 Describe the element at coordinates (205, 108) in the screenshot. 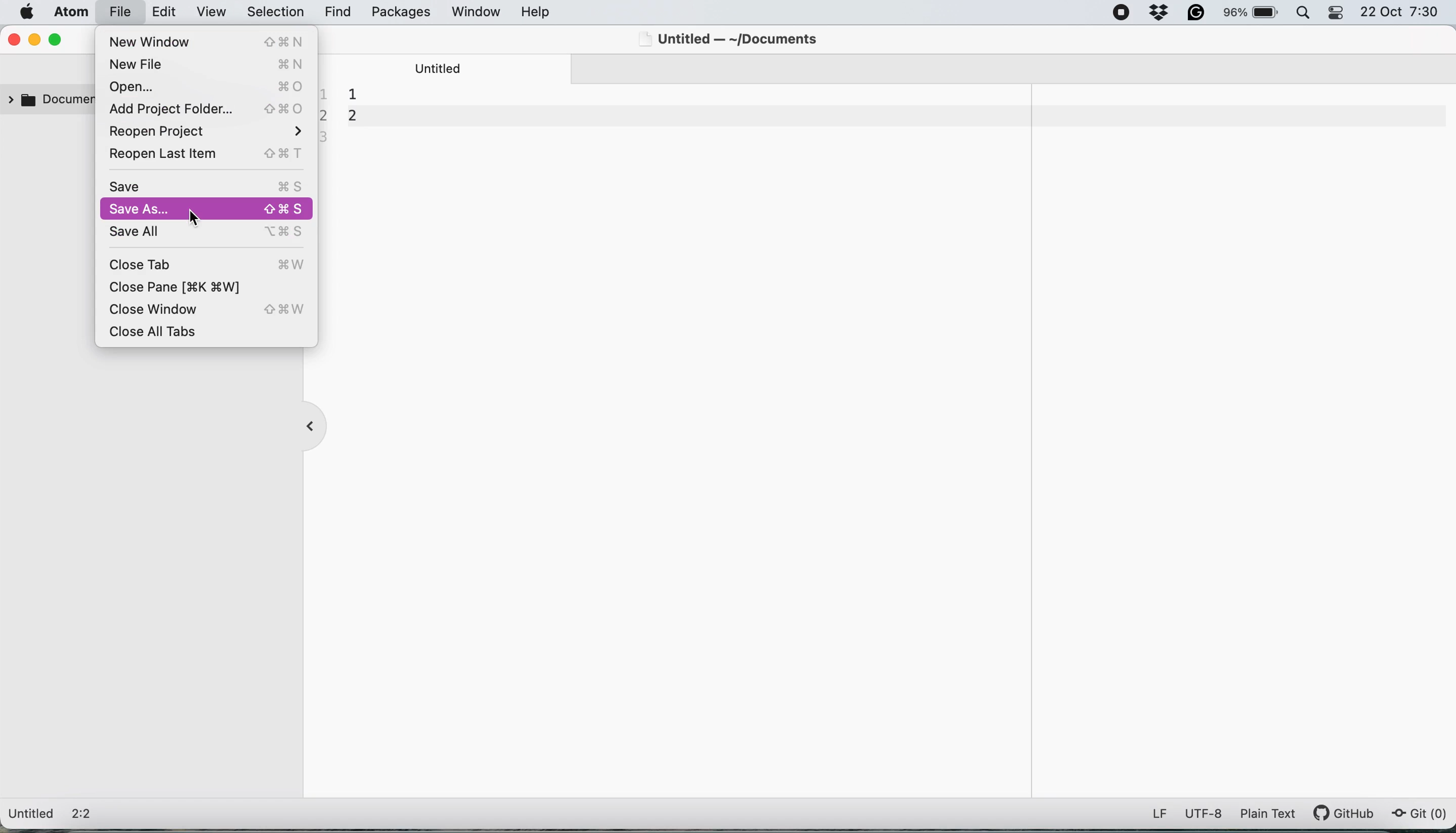

I see `Add Project Folder...` at that location.